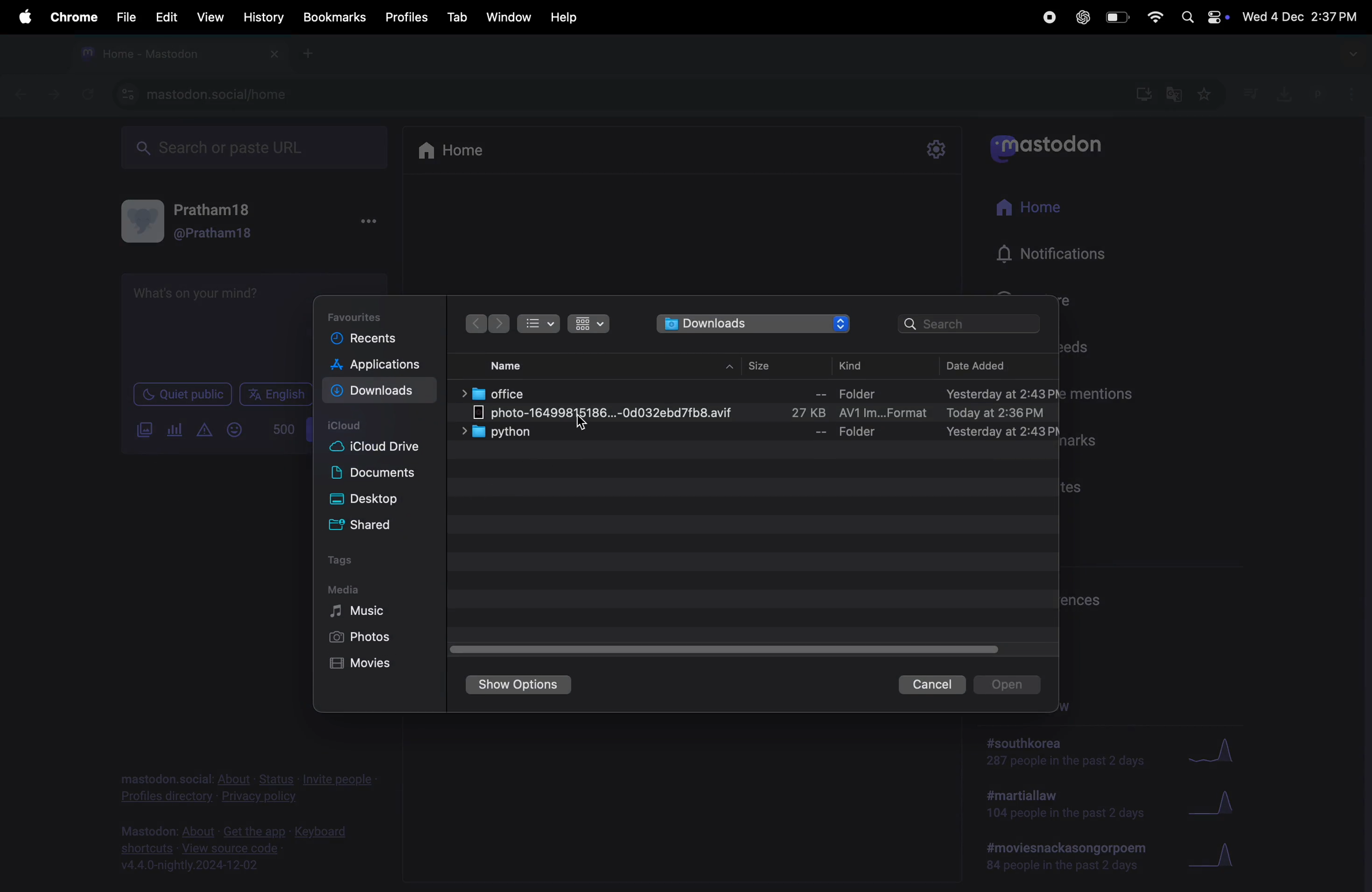 The height and width of the screenshot is (892, 1372). Describe the element at coordinates (85, 94) in the screenshot. I see `refresh` at that location.